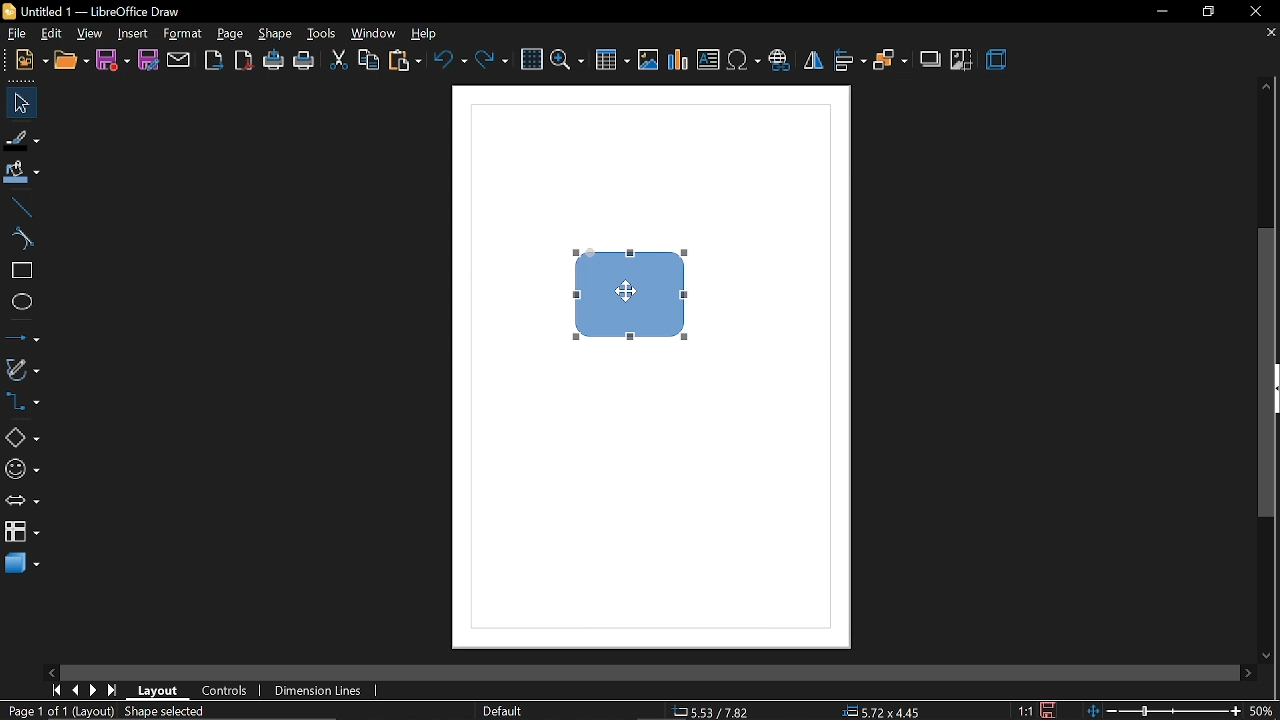  What do you see at coordinates (611, 61) in the screenshot?
I see `insert table` at bounding box center [611, 61].